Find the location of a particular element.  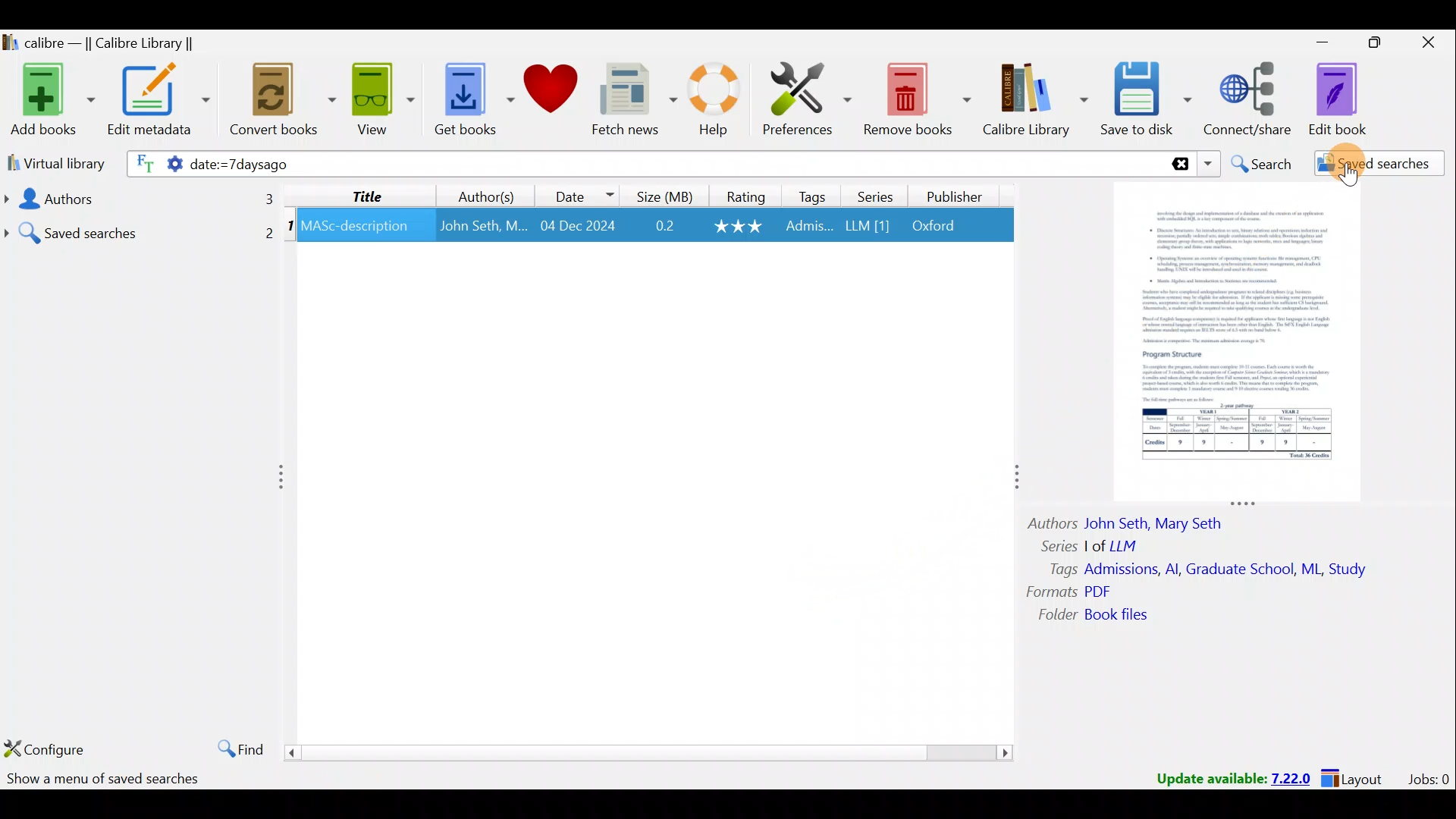

Search dropdown is located at coordinates (1207, 164).